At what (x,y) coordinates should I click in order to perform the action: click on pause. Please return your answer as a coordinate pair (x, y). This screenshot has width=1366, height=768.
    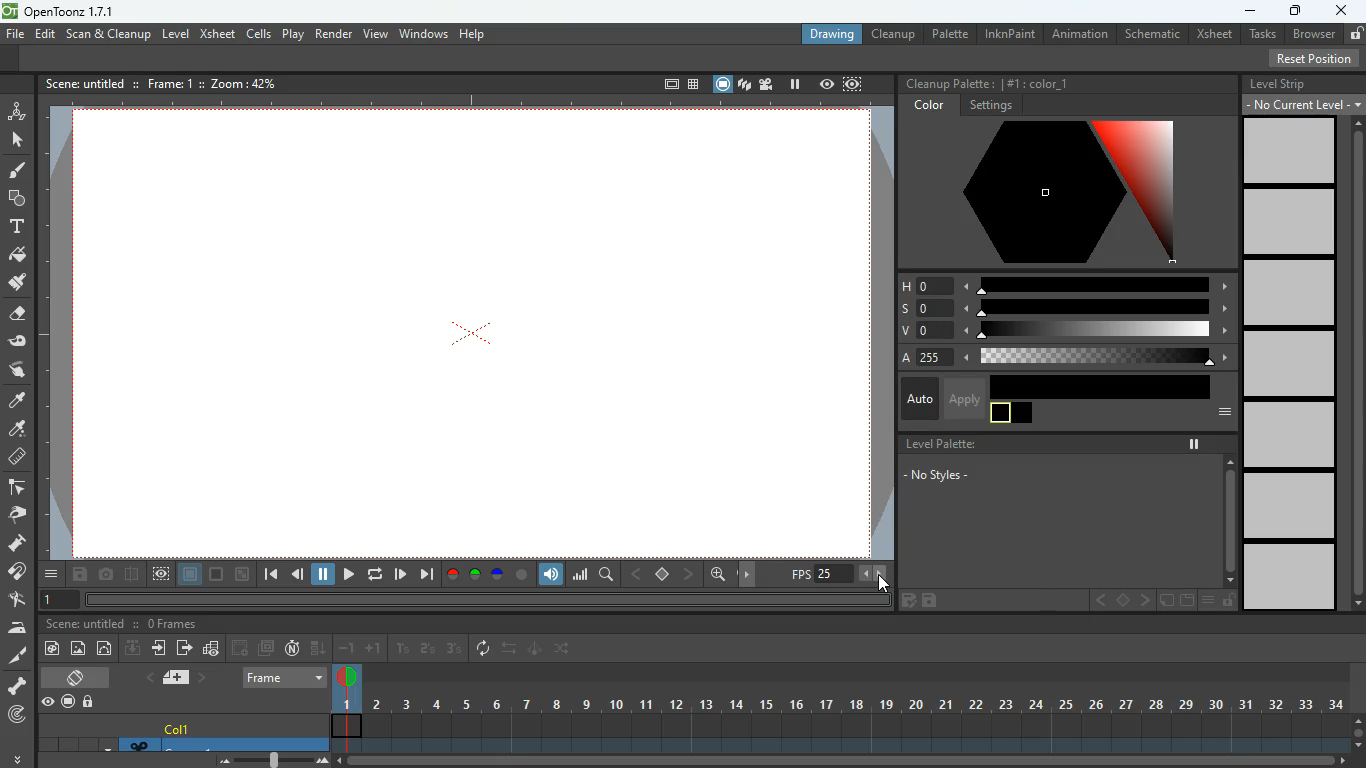
    Looking at the image, I should click on (324, 575).